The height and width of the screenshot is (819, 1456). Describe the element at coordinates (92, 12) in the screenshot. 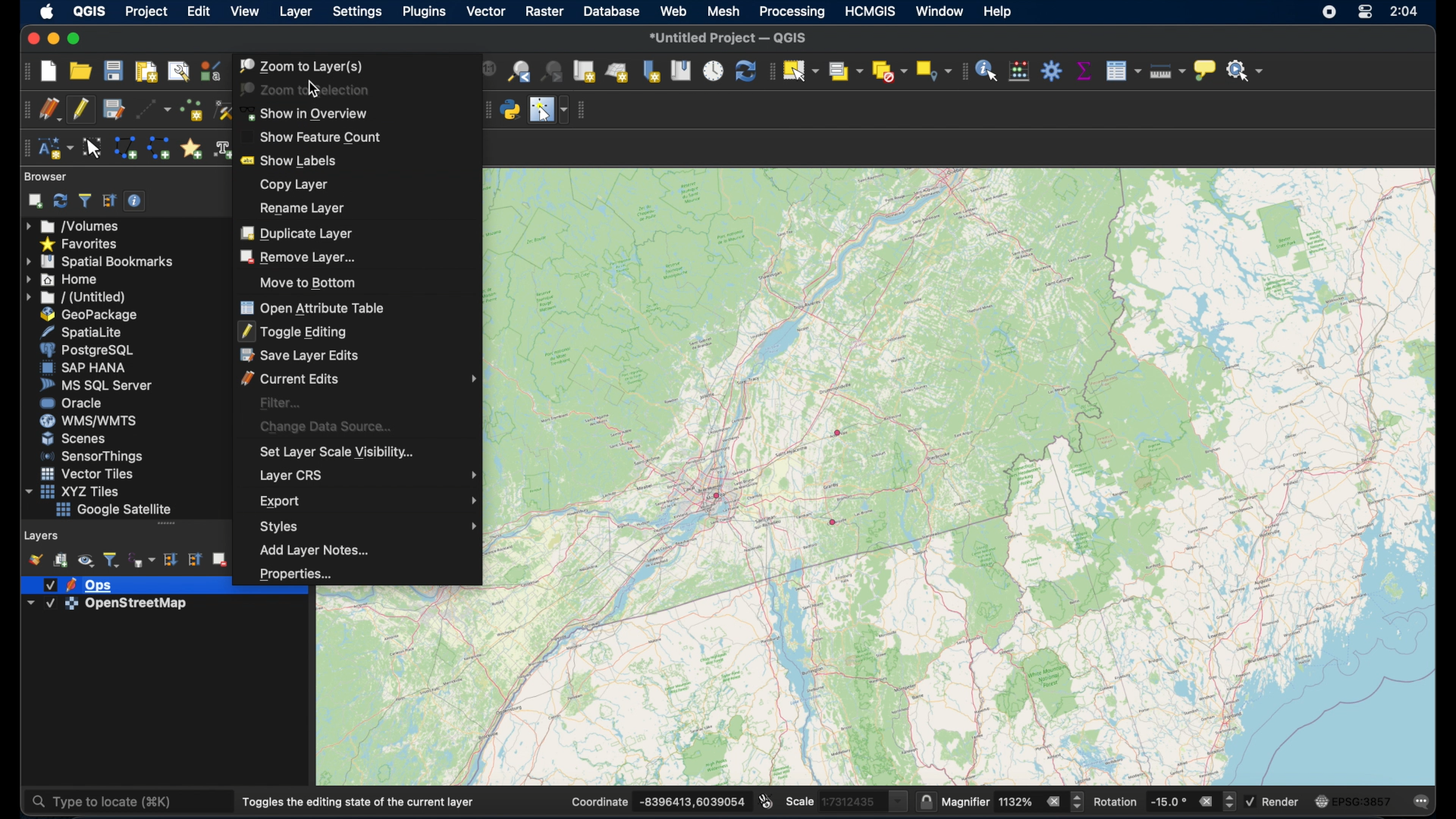

I see `QGIS` at that location.